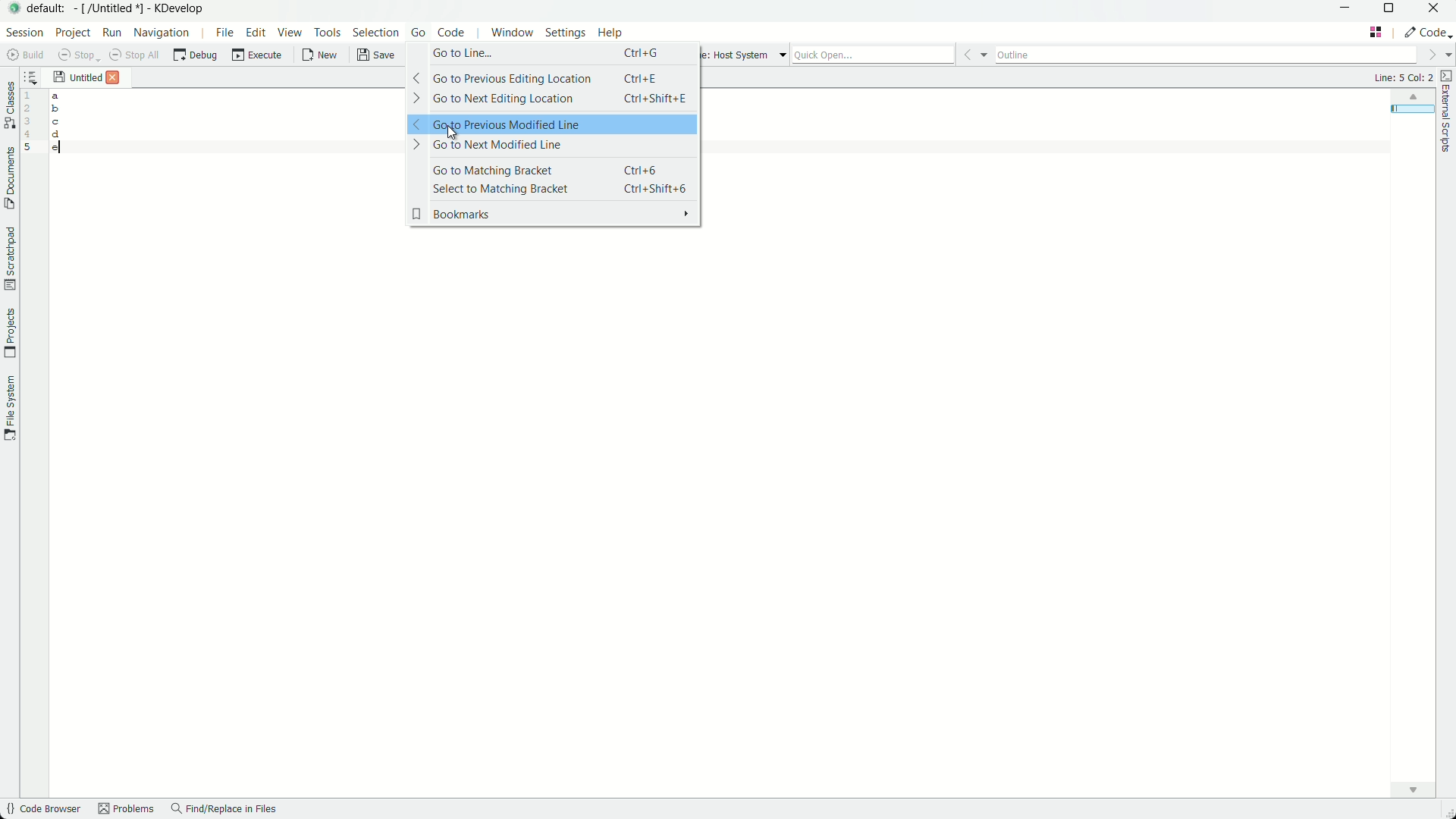  Describe the element at coordinates (554, 189) in the screenshot. I see `select to matching bracket` at that location.